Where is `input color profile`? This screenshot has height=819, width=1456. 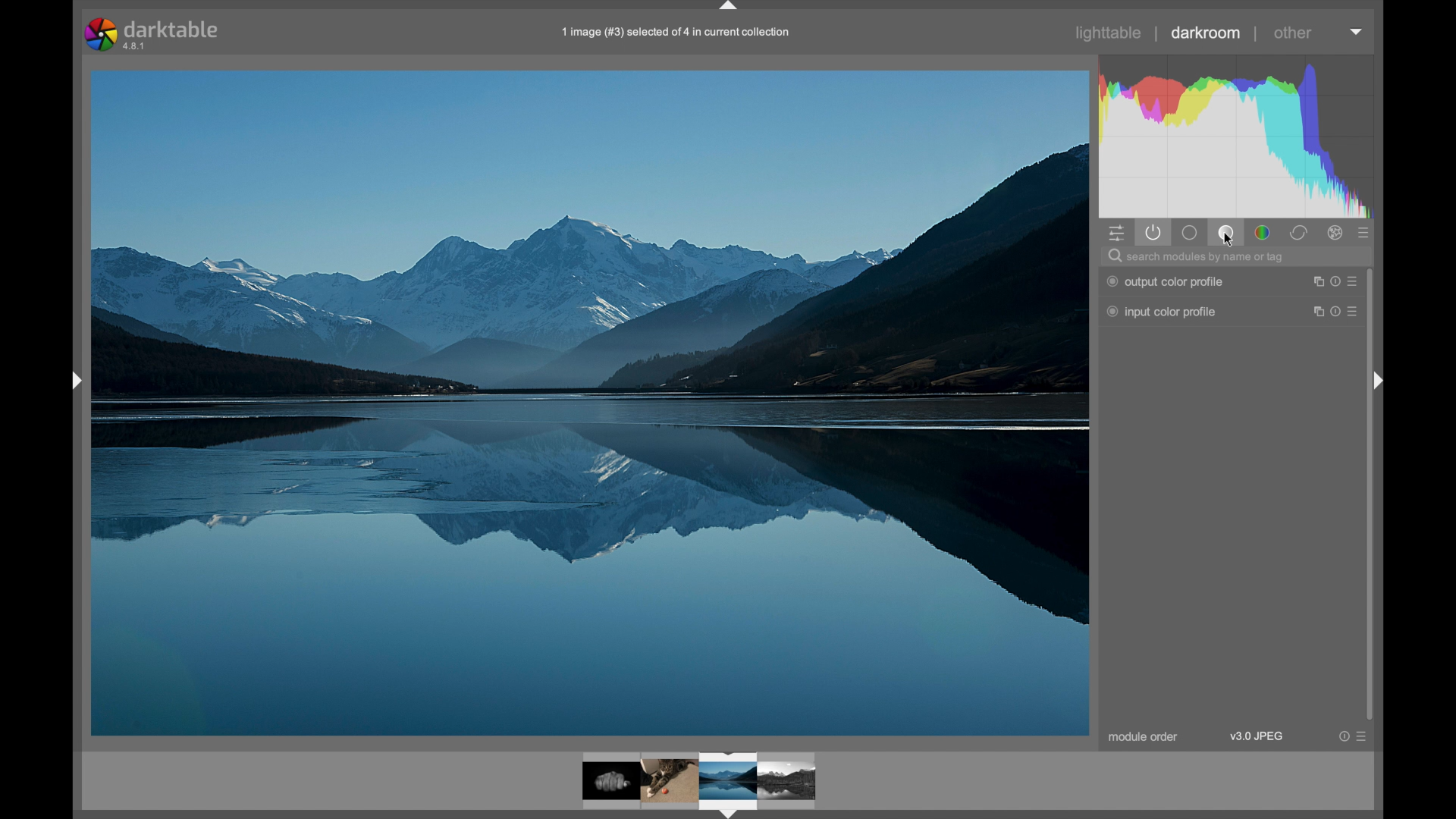
input color profile is located at coordinates (1163, 312).